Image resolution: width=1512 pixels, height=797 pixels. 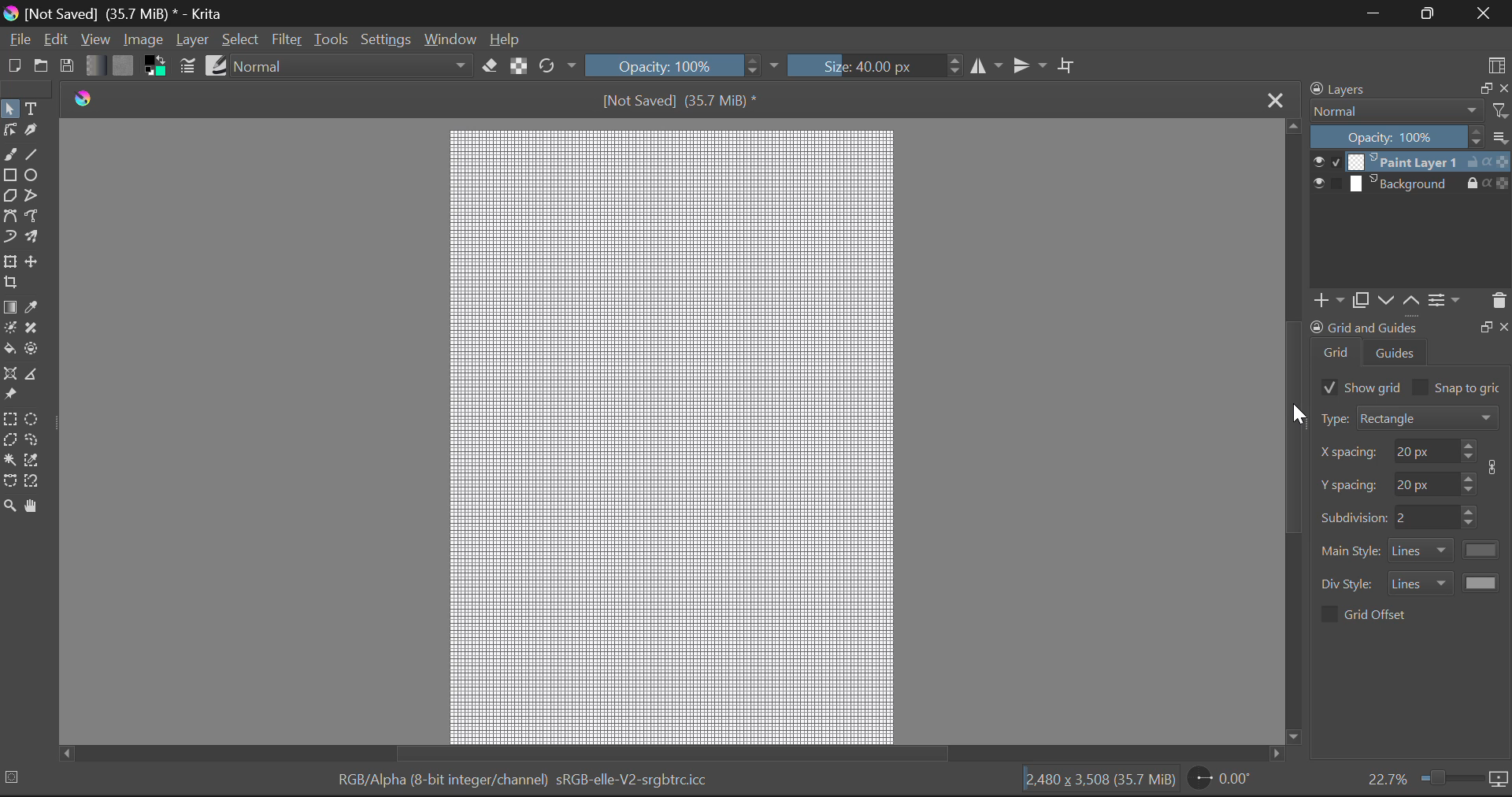 What do you see at coordinates (9, 506) in the screenshot?
I see `Zoom` at bounding box center [9, 506].